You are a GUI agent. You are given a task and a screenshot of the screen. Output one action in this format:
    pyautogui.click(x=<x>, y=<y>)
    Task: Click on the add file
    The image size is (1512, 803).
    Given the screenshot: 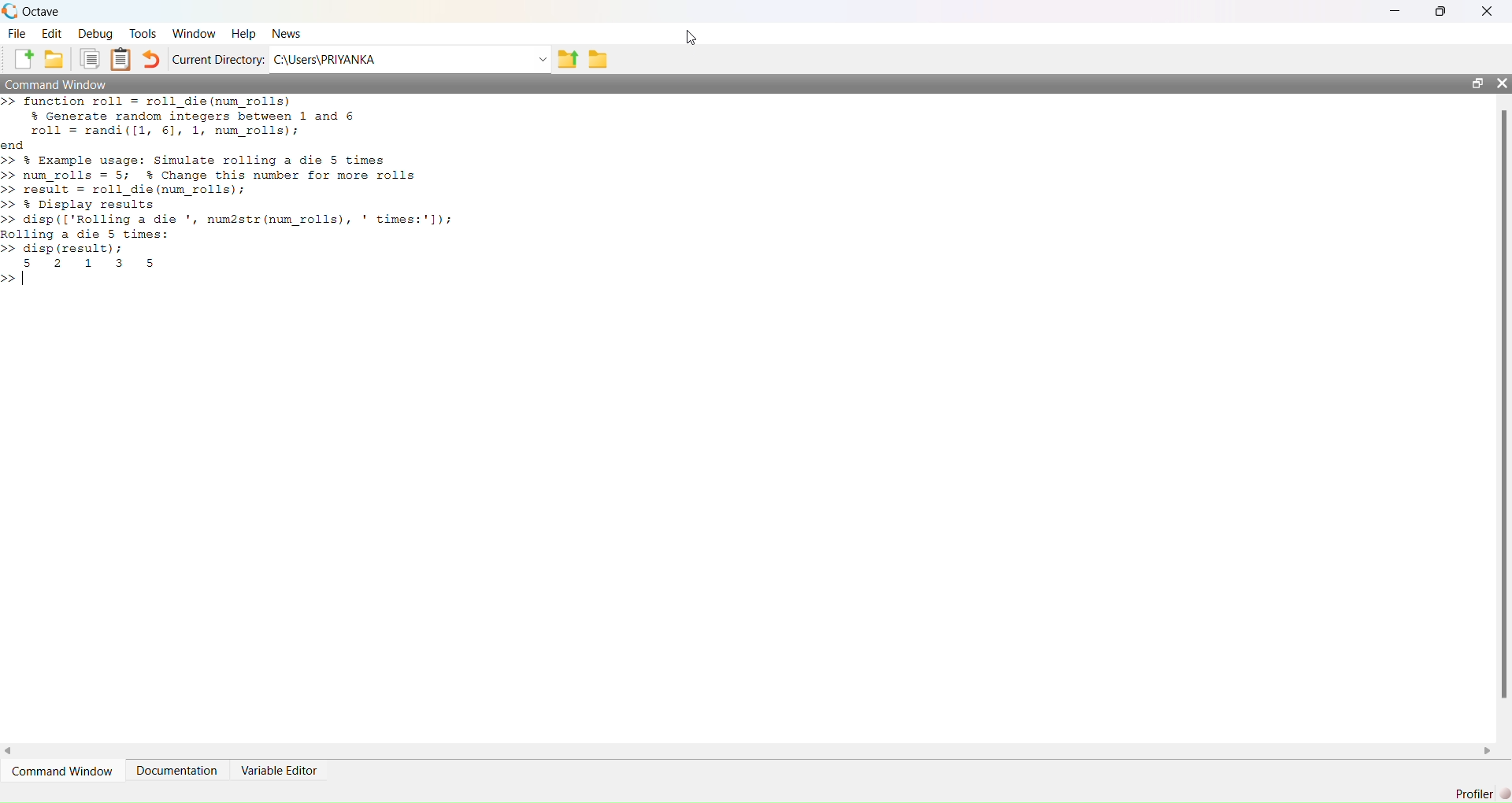 What is the action you would take?
    pyautogui.click(x=25, y=59)
    